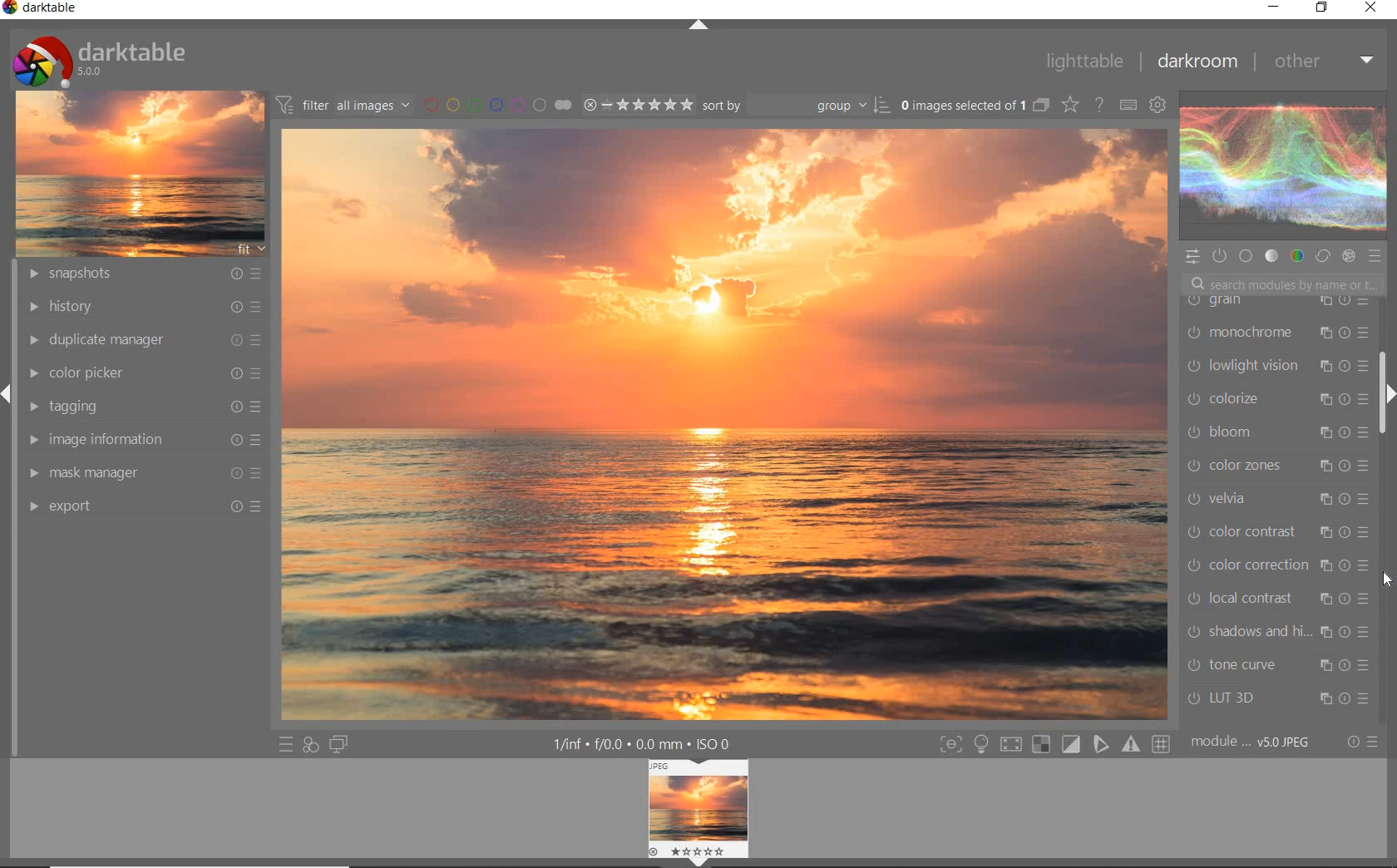 Image resolution: width=1397 pixels, height=868 pixels. Describe the element at coordinates (1326, 65) in the screenshot. I see `other` at that location.